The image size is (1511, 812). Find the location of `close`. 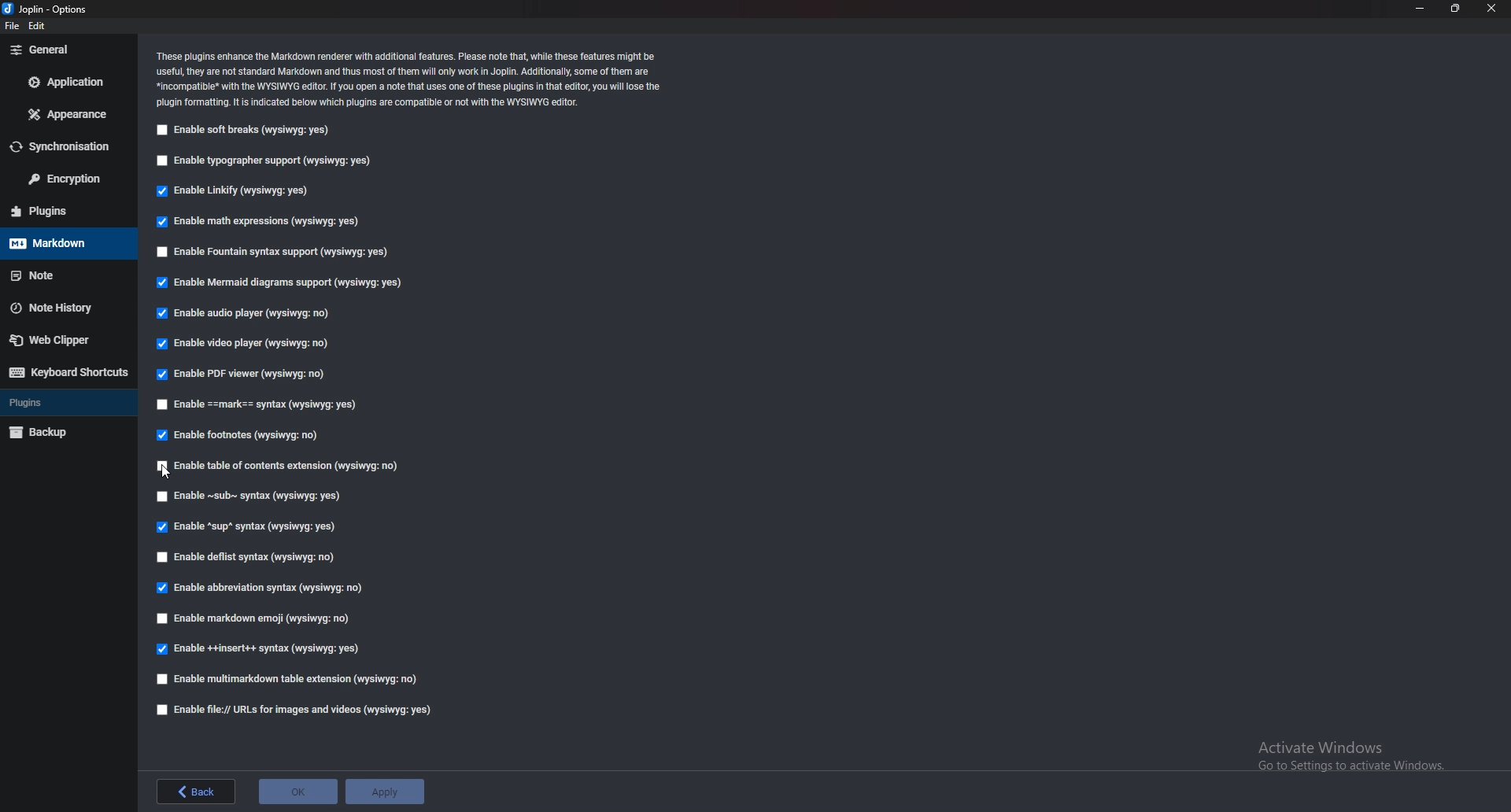

close is located at coordinates (1492, 9).